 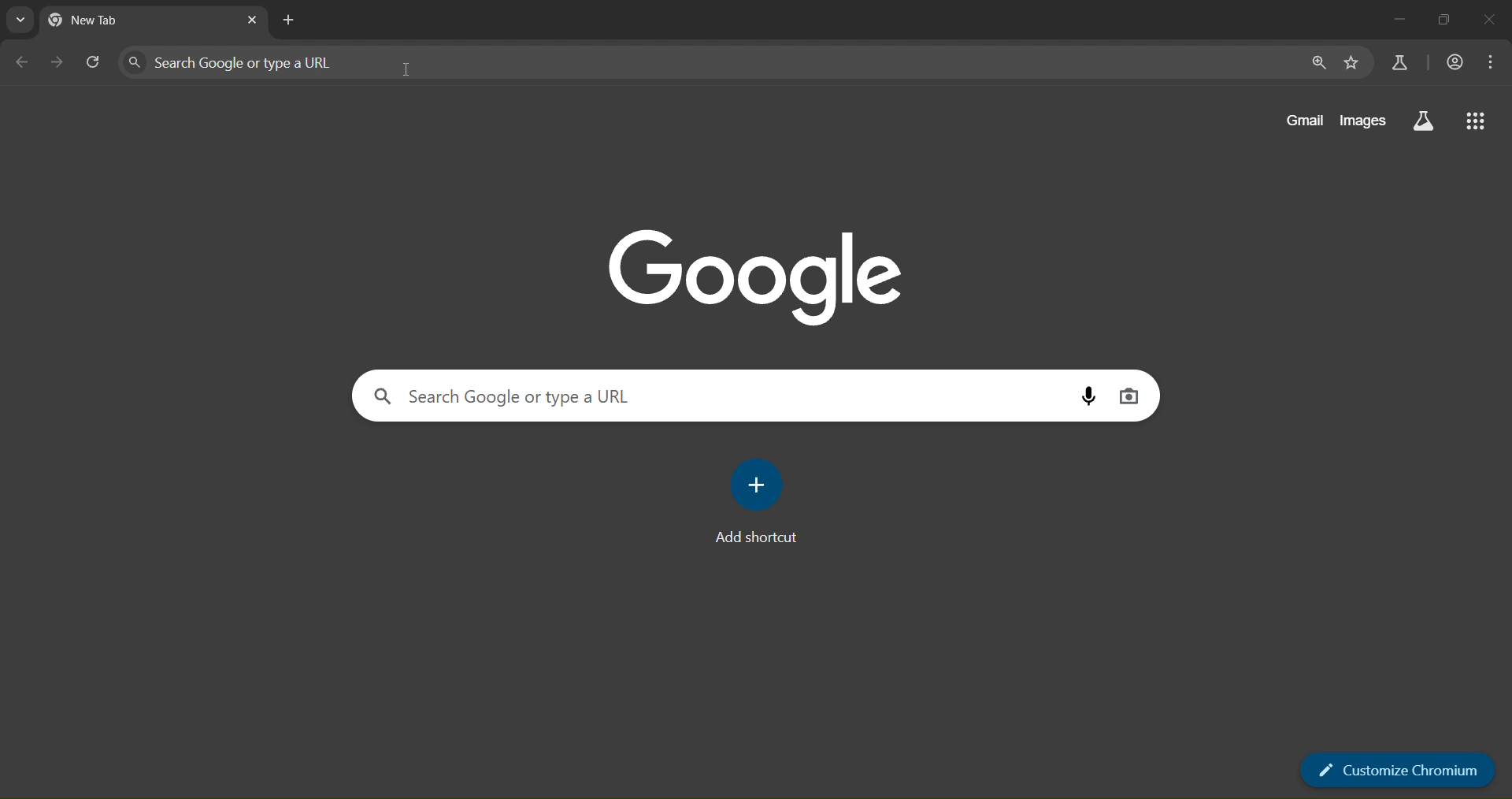 What do you see at coordinates (1302, 120) in the screenshot?
I see `gmail` at bounding box center [1302, 120].